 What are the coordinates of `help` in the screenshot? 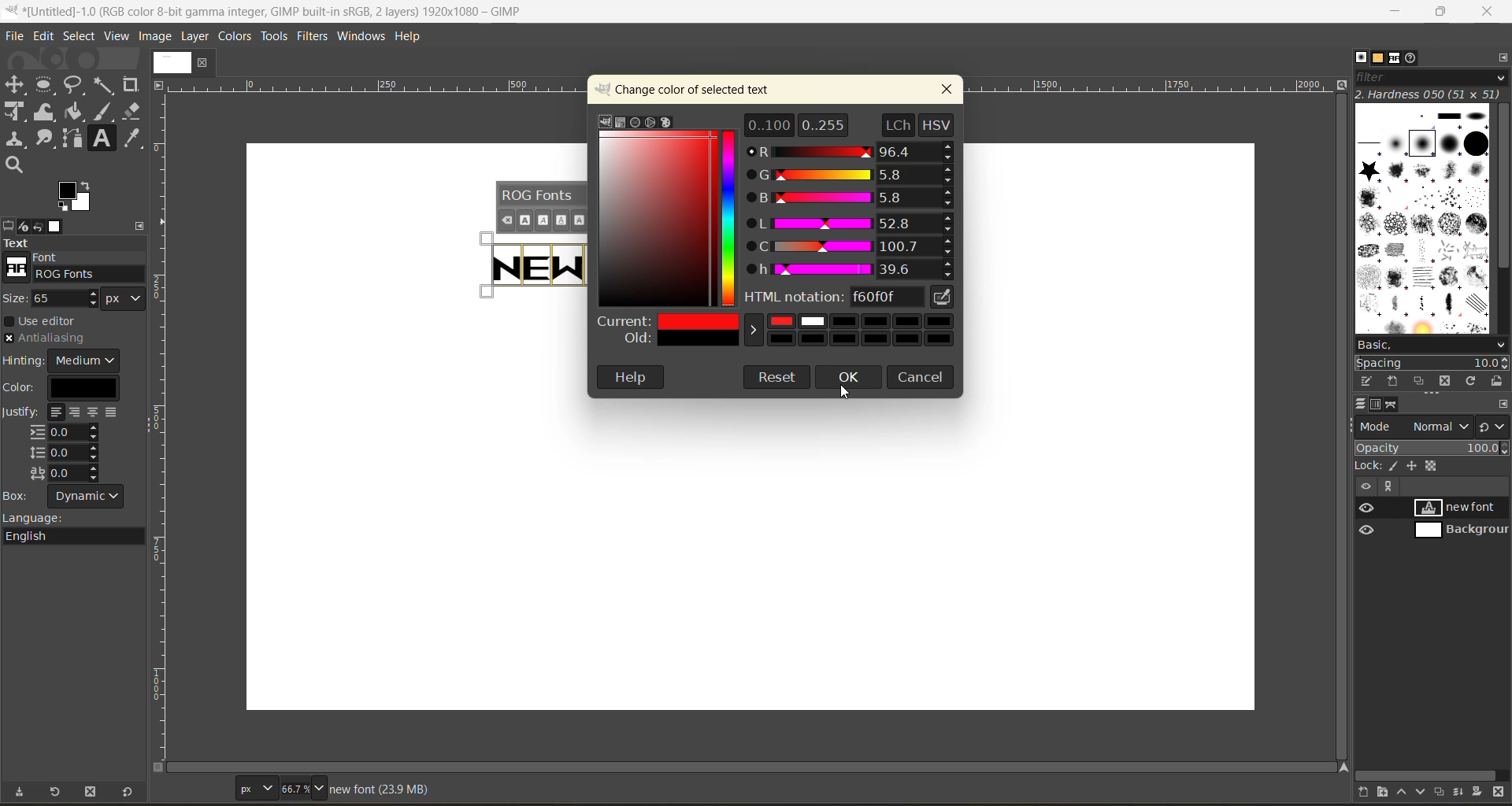 It's located at (416, 39).